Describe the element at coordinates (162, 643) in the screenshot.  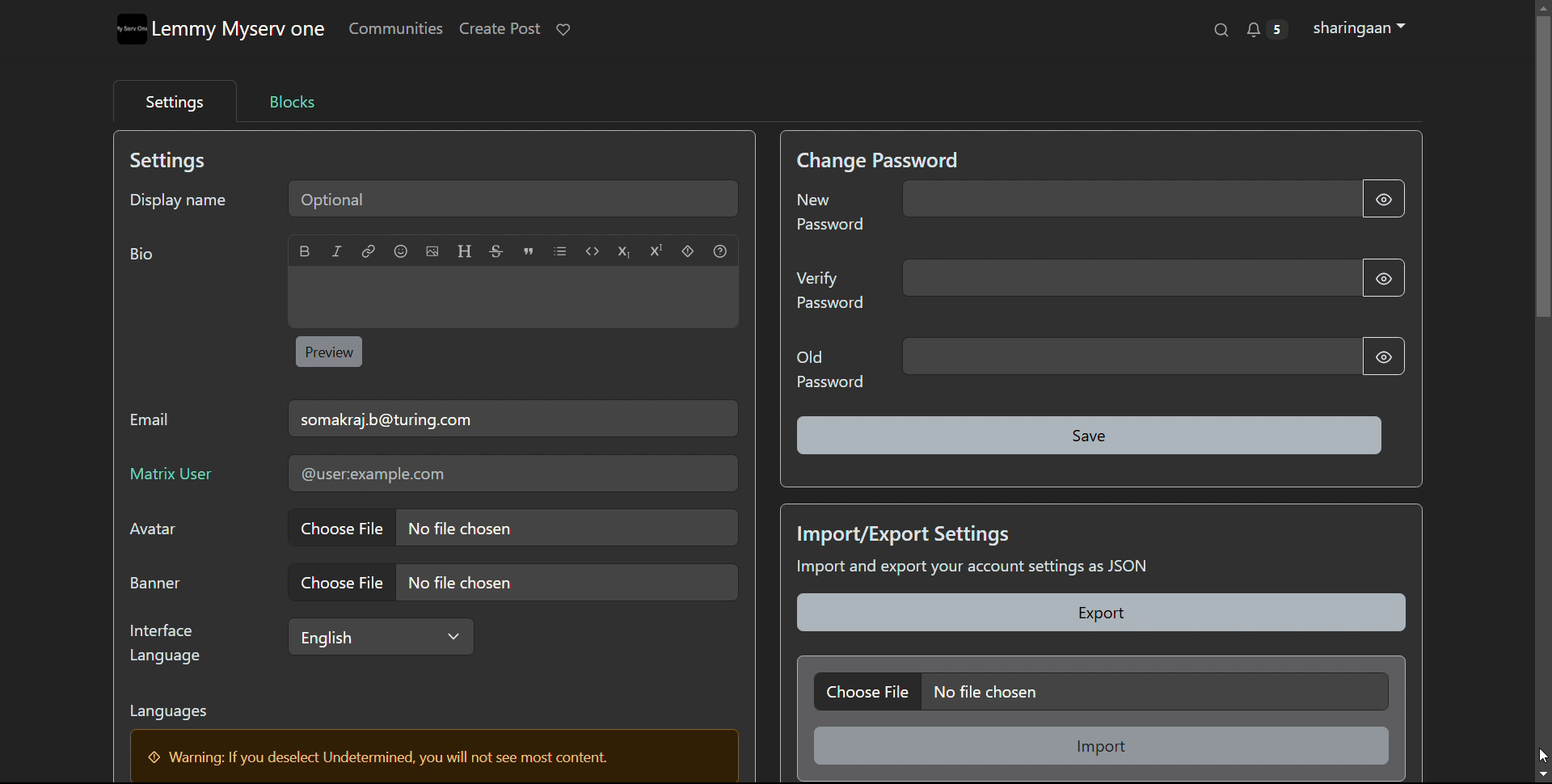
I see `Interface
[ELIE]` at that location.